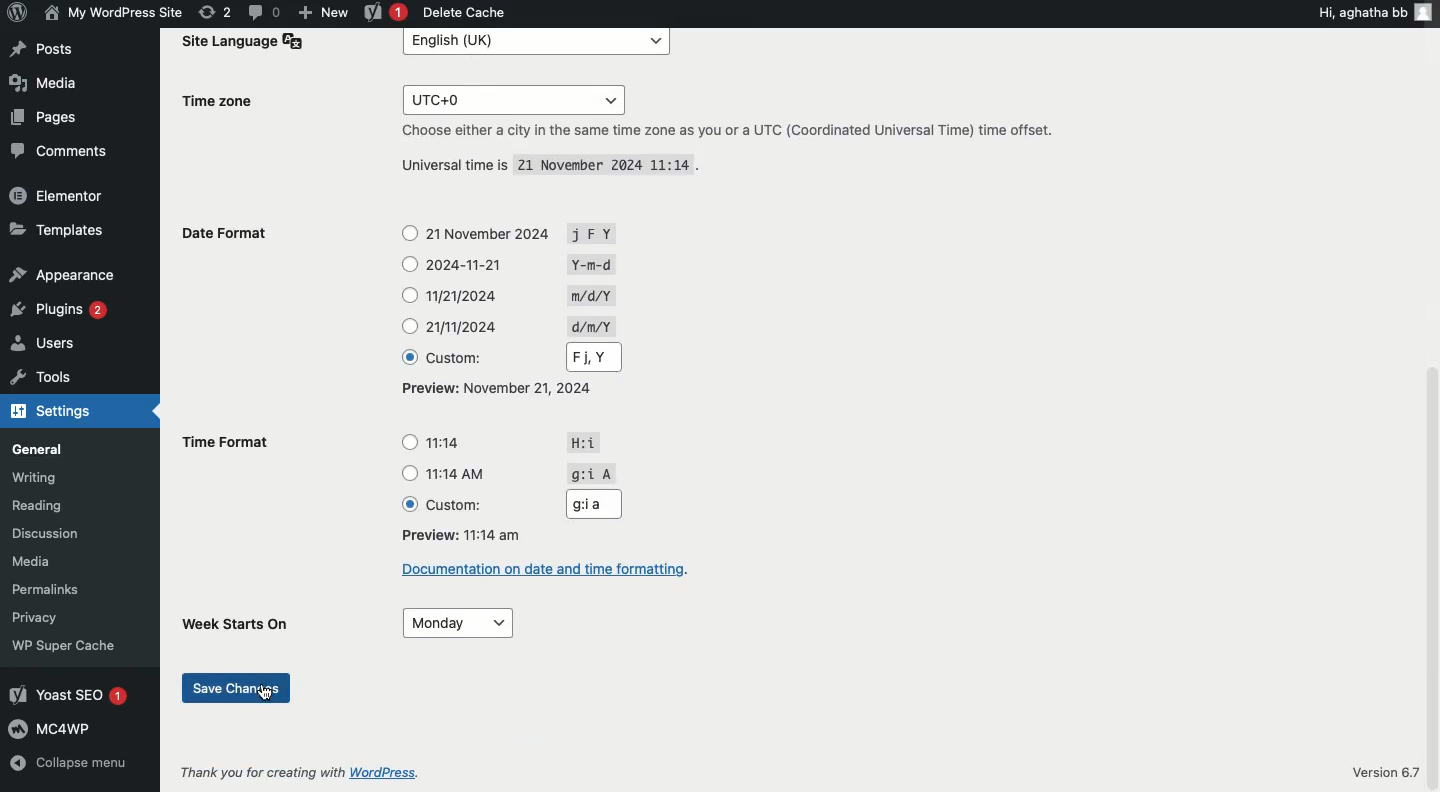 The height and width of the screenshot is (792, 1440). What do you see at coordinates (47, 84) in the screenshot?
I see `Media` at bounding box center [47, 84].